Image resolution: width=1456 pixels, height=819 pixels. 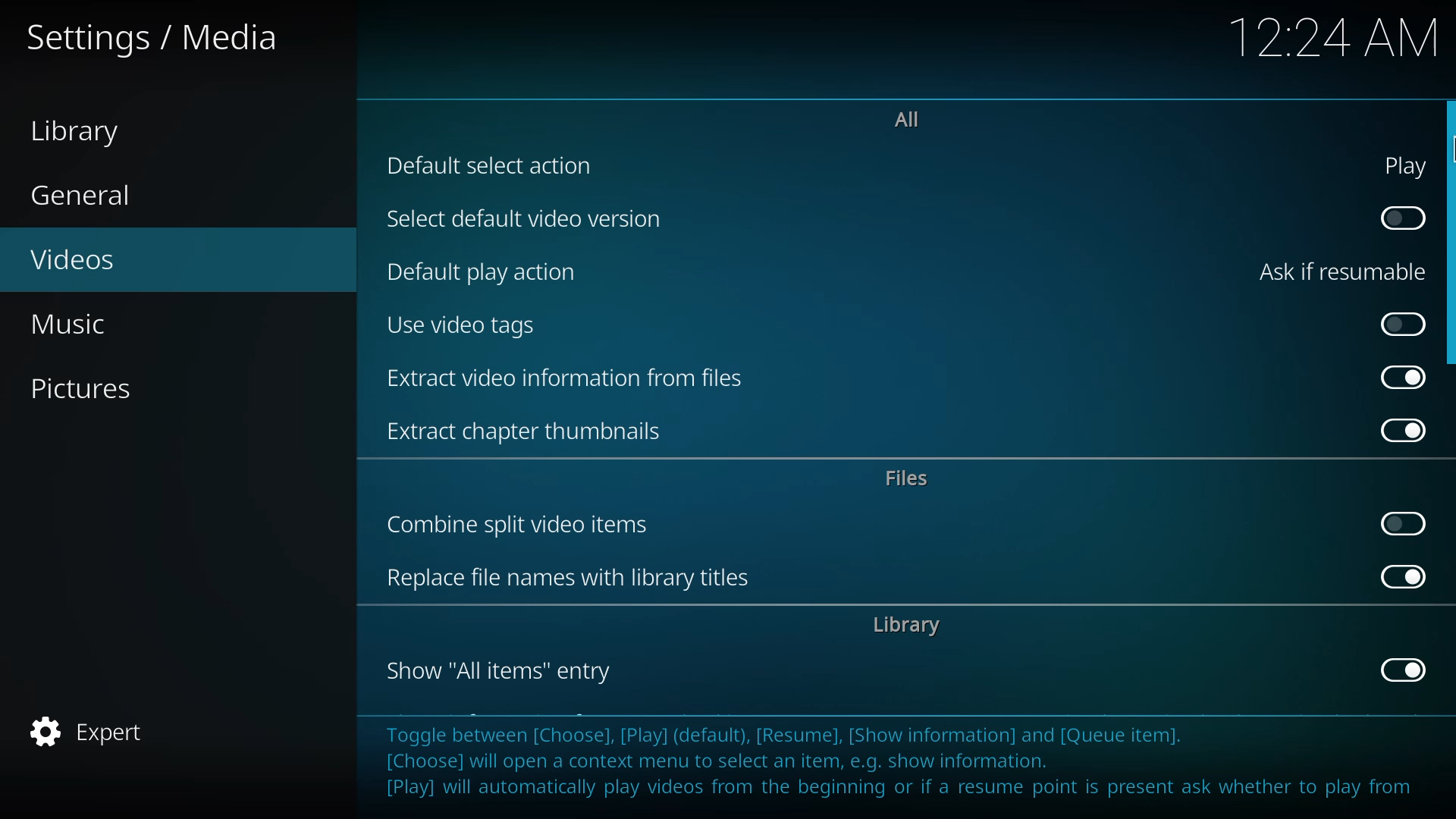 What do you see at coordinates (1345, 271) in the screenshot?
I see `ask if resumable` at bounding box center [1345, 271].